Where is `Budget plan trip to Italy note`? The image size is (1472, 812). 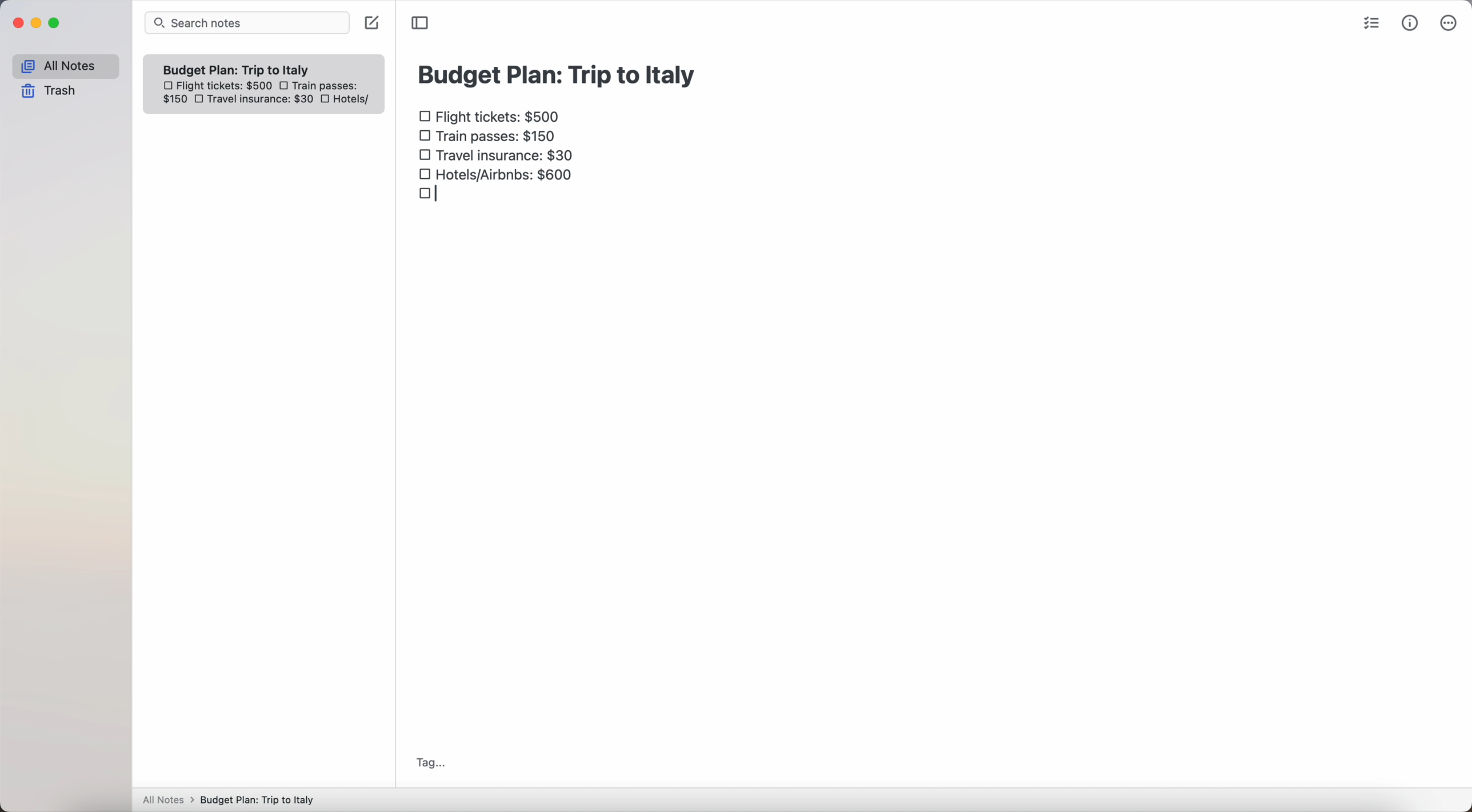 Budget plan trip to Italy note is located at coordinates (238, 69).